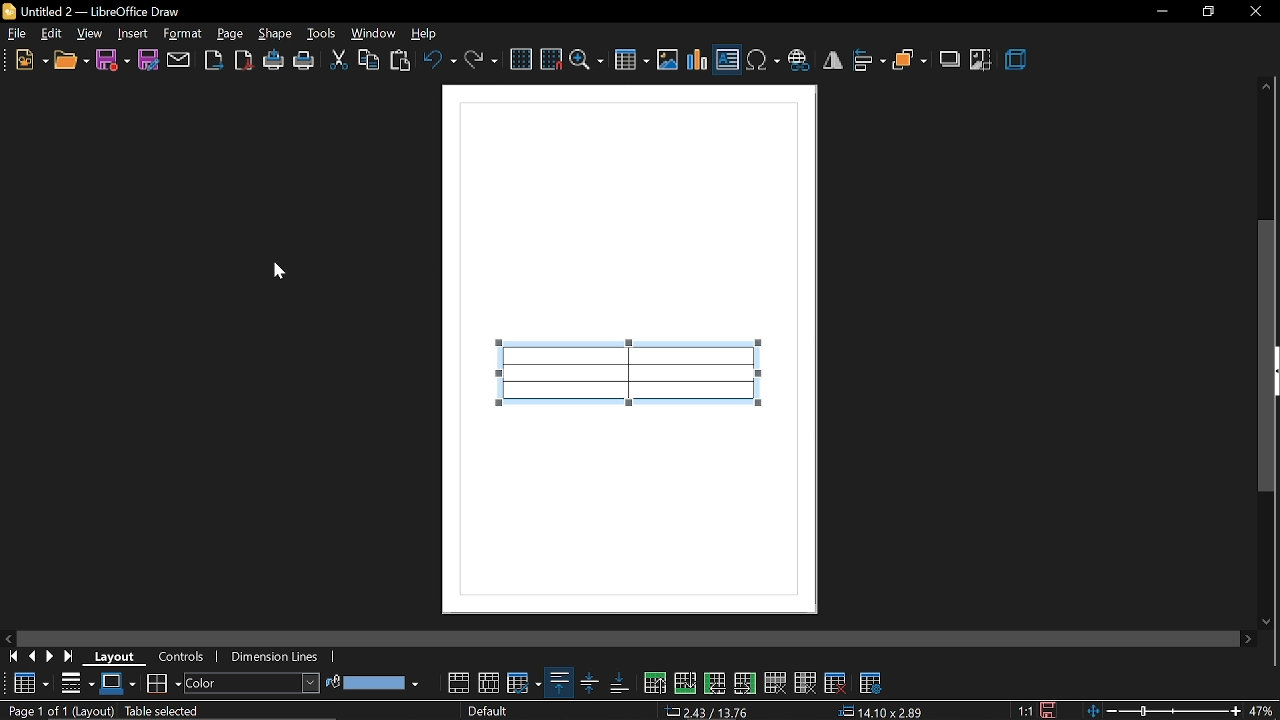 This screenshot has width=1280, height=720. I want to click on close, so click(1255, 12).